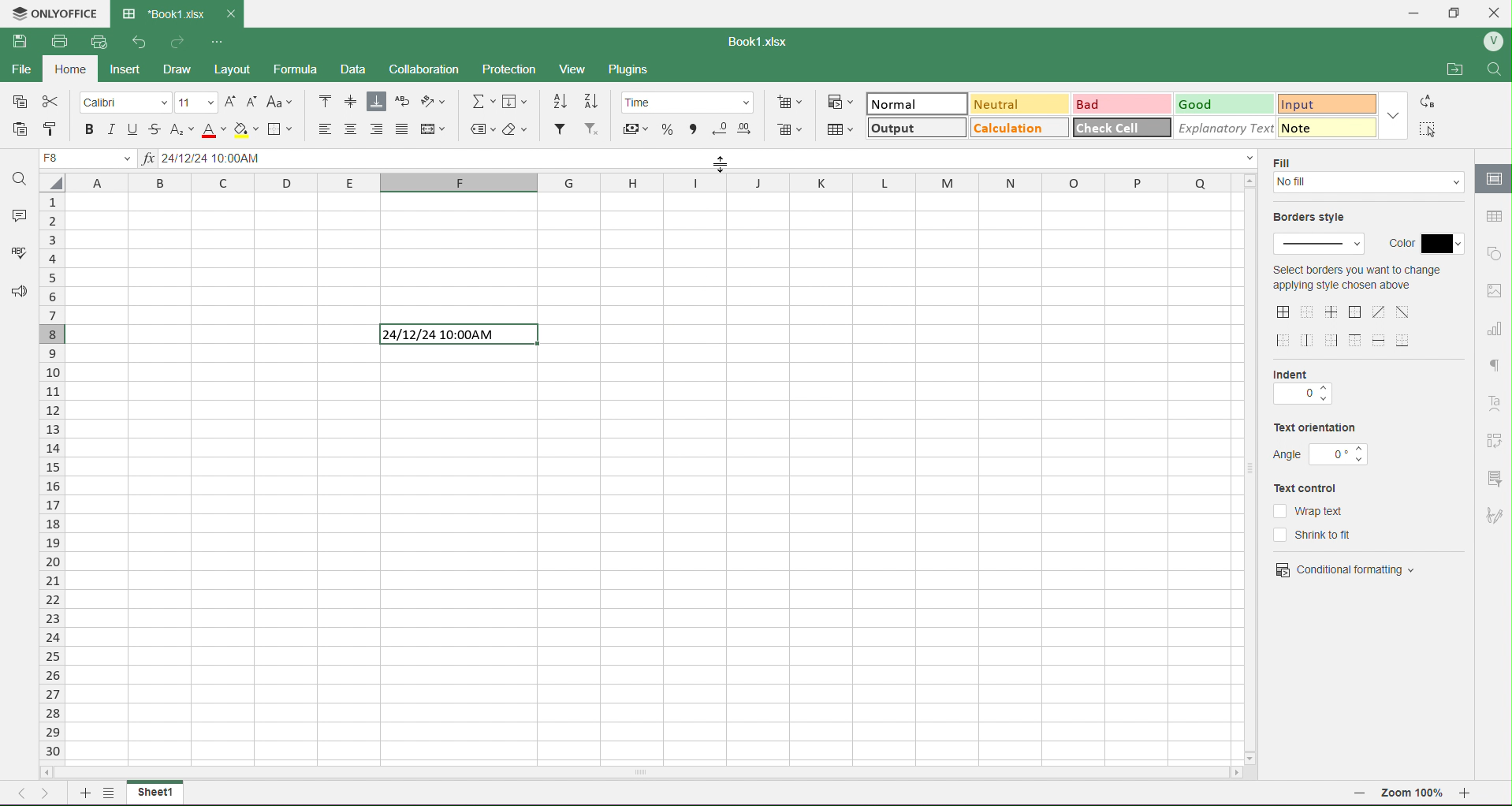 Image resolution: width=1512 pixels, height=806 pixels. What do you see at coordinates (1346, 568) in the screenshot?
I see `condition formatting` at bounding box center [1346, 568].